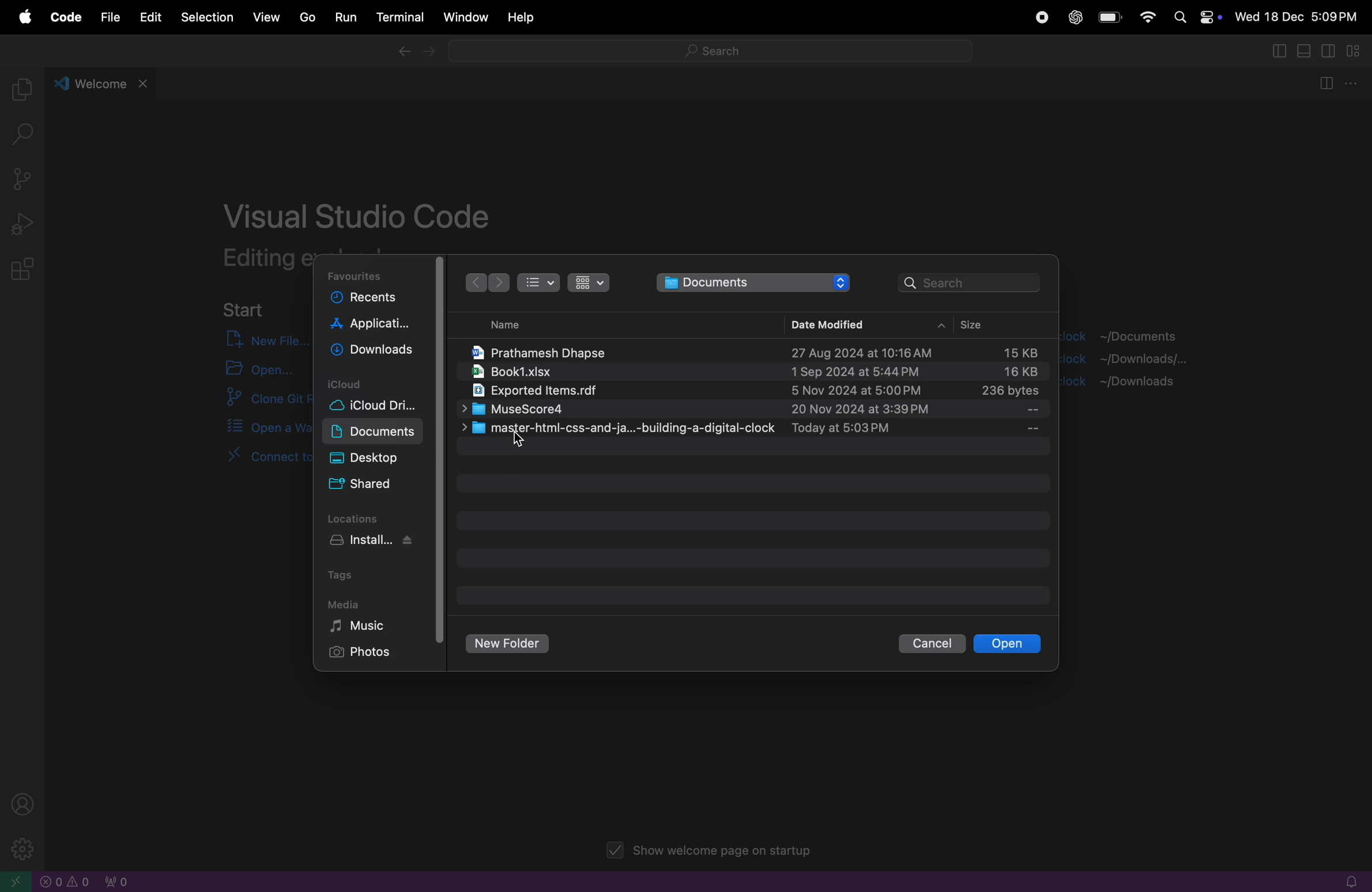  I want to click on date modified, so click(825, 323).